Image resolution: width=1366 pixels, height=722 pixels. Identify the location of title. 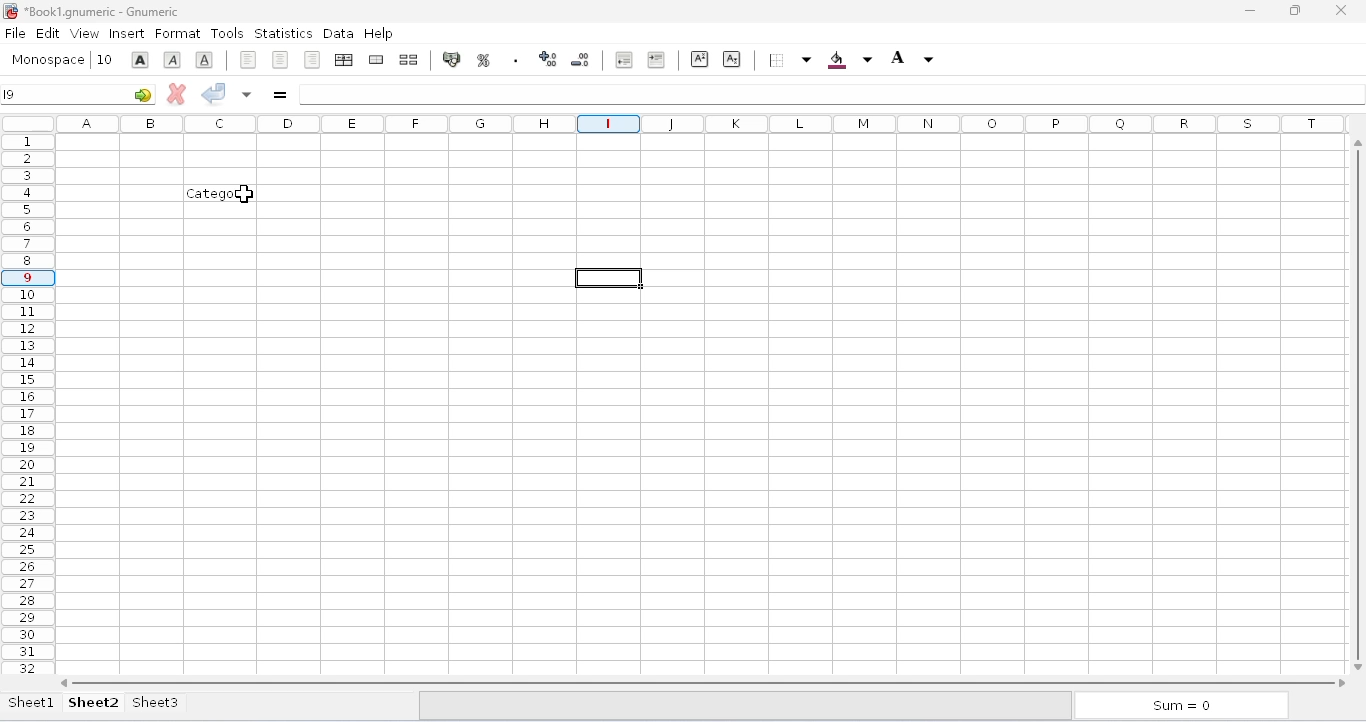
(102, 11).